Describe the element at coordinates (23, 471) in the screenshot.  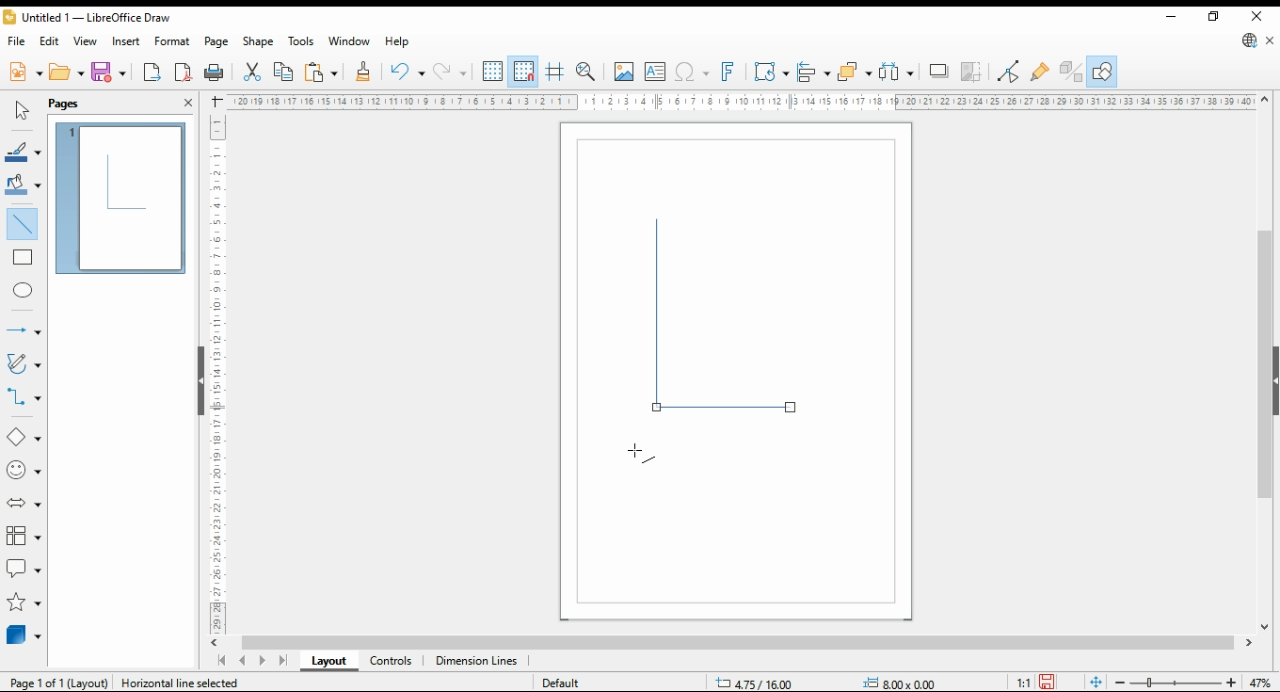
I see `symbol shapes` at that location.